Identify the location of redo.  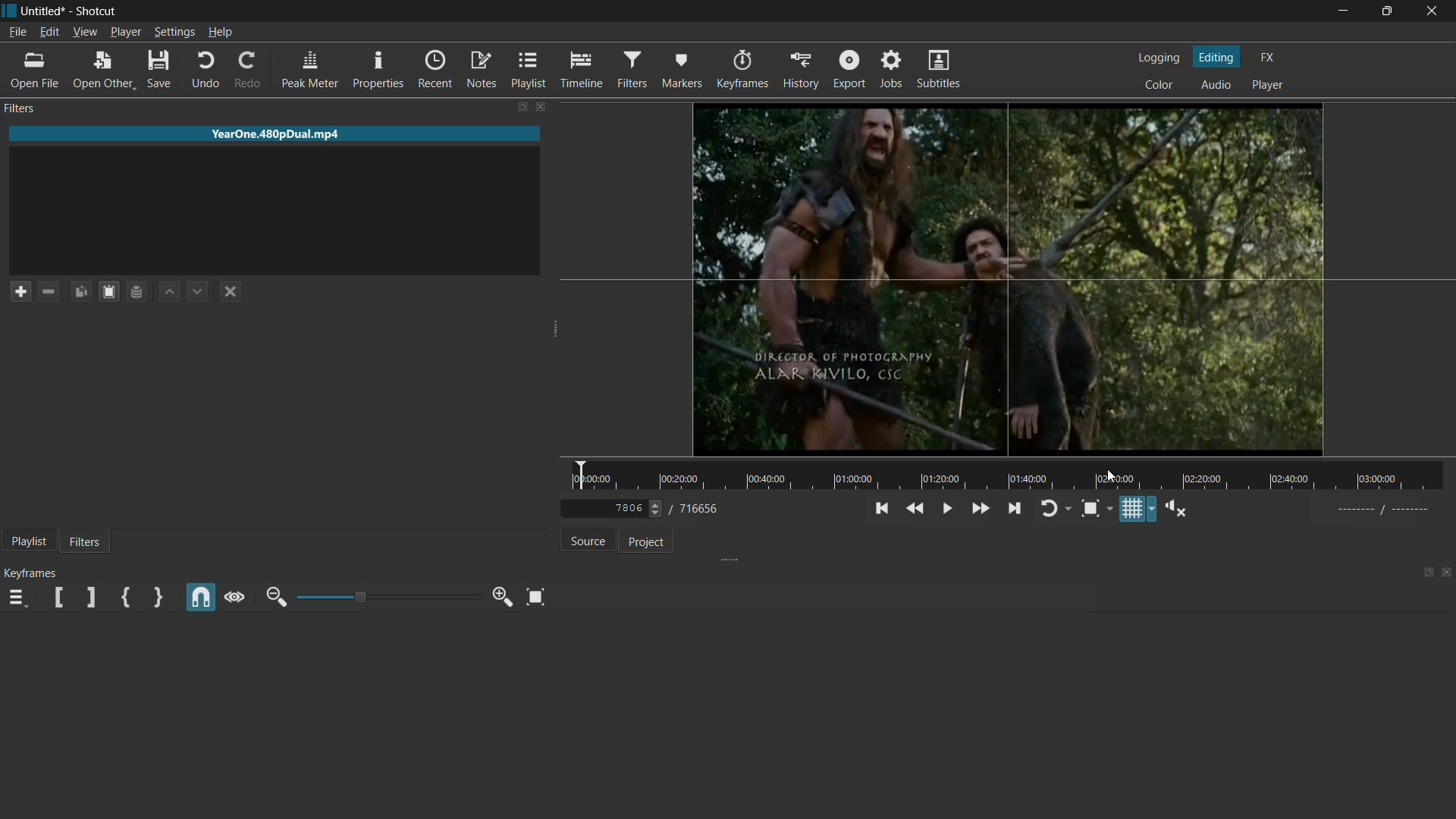
(248, 68).